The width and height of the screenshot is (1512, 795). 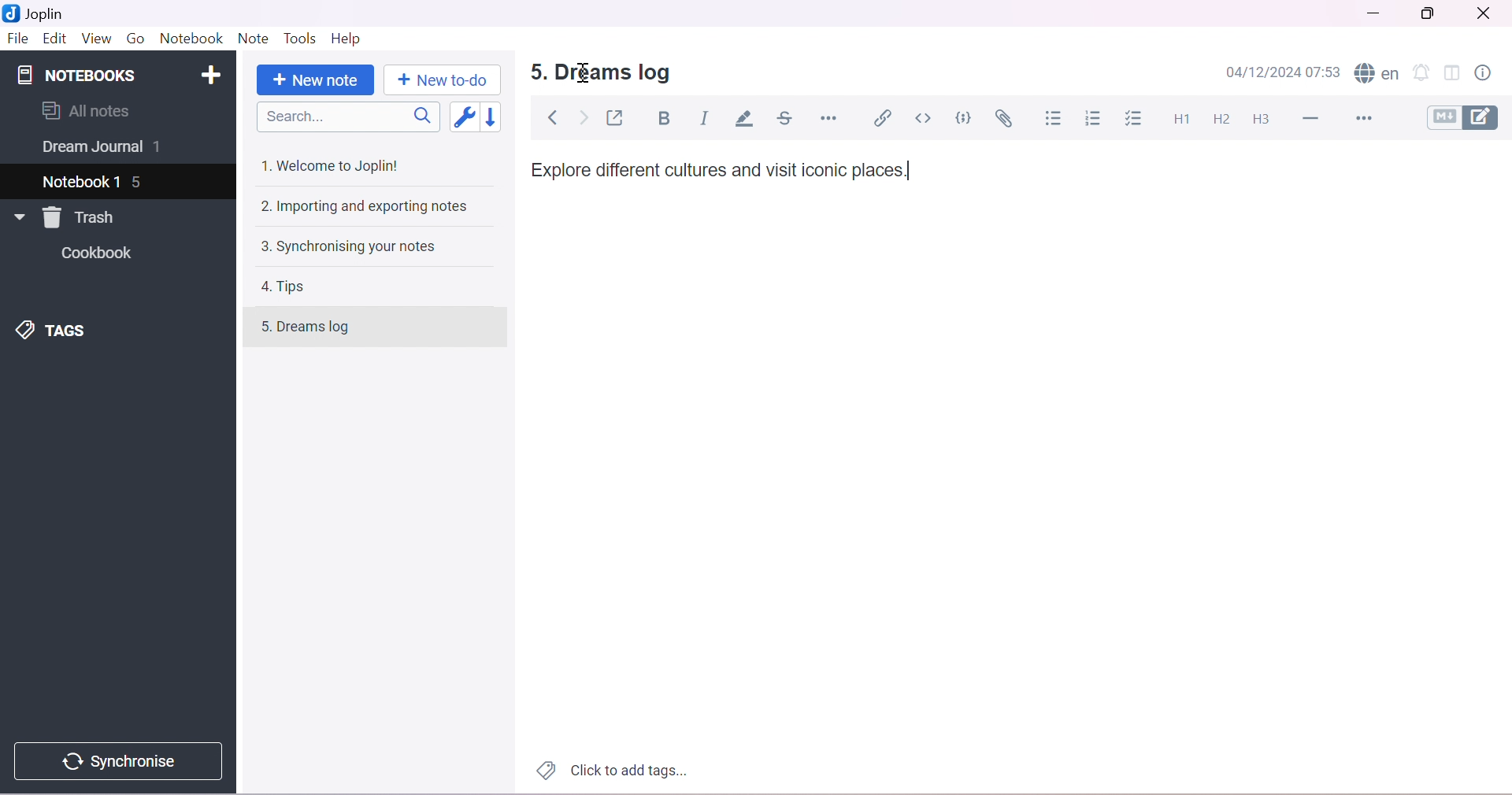 What do you see at coordinates (347, 248) in the screenshot?
I see `3. Synchronising your notes` at bounding box center [347, 248].